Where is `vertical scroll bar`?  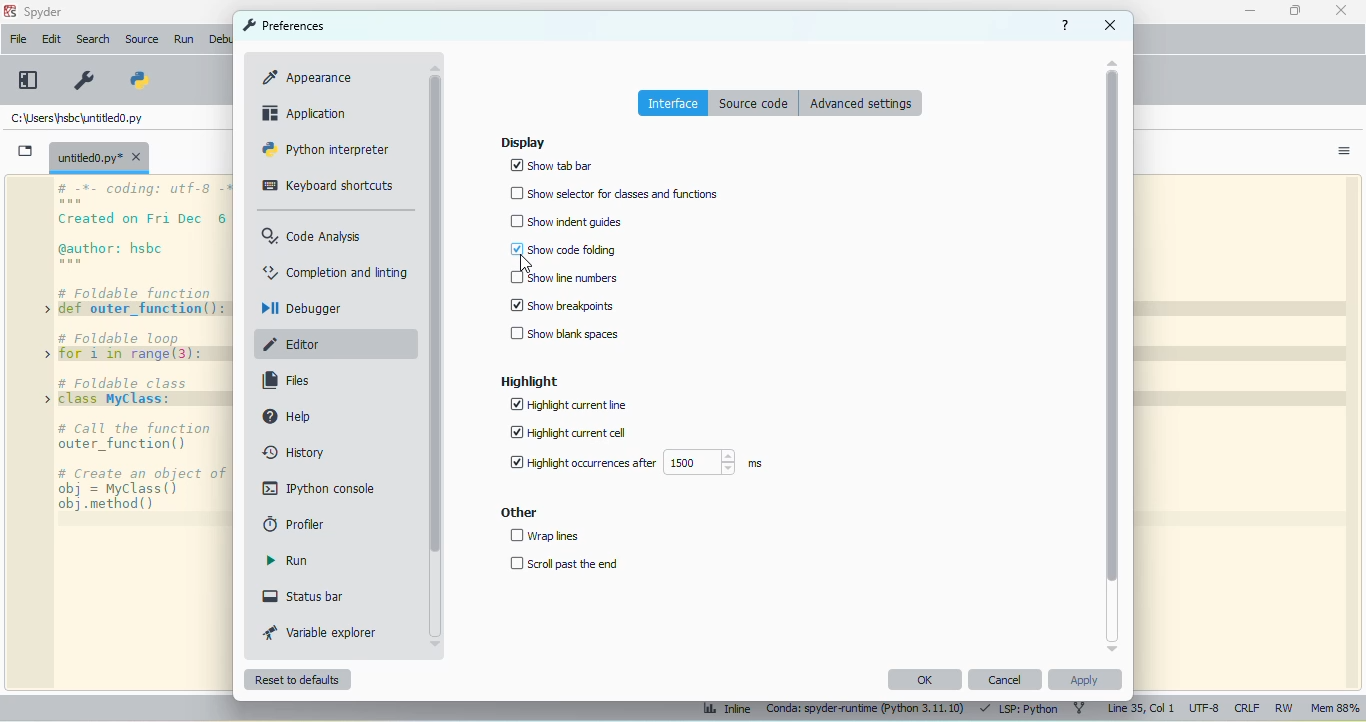 vertical scroll bar is located at coordinates (435, 315).